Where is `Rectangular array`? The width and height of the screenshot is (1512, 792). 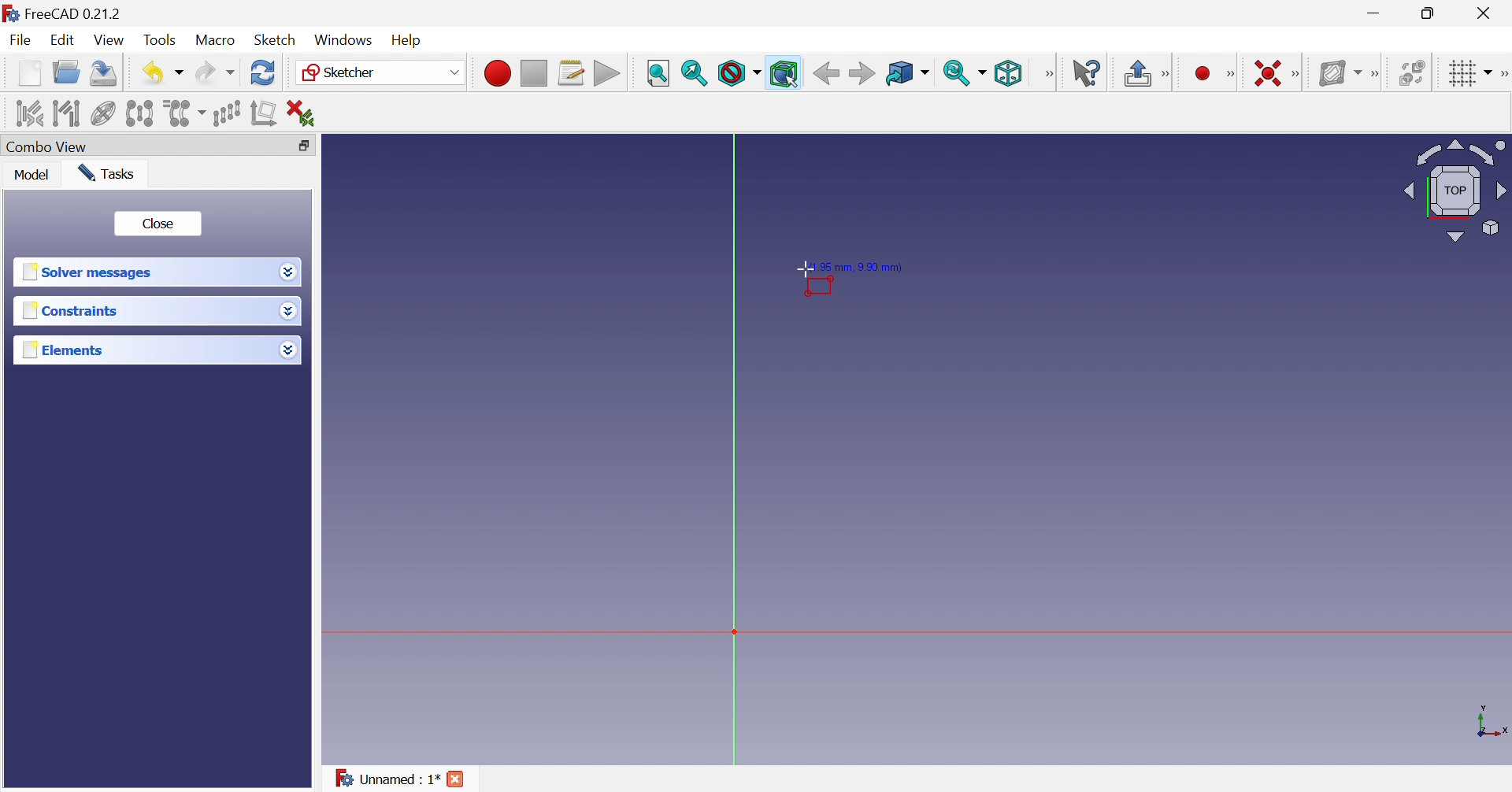 Rectangular array is located at coordinates (228, 114).